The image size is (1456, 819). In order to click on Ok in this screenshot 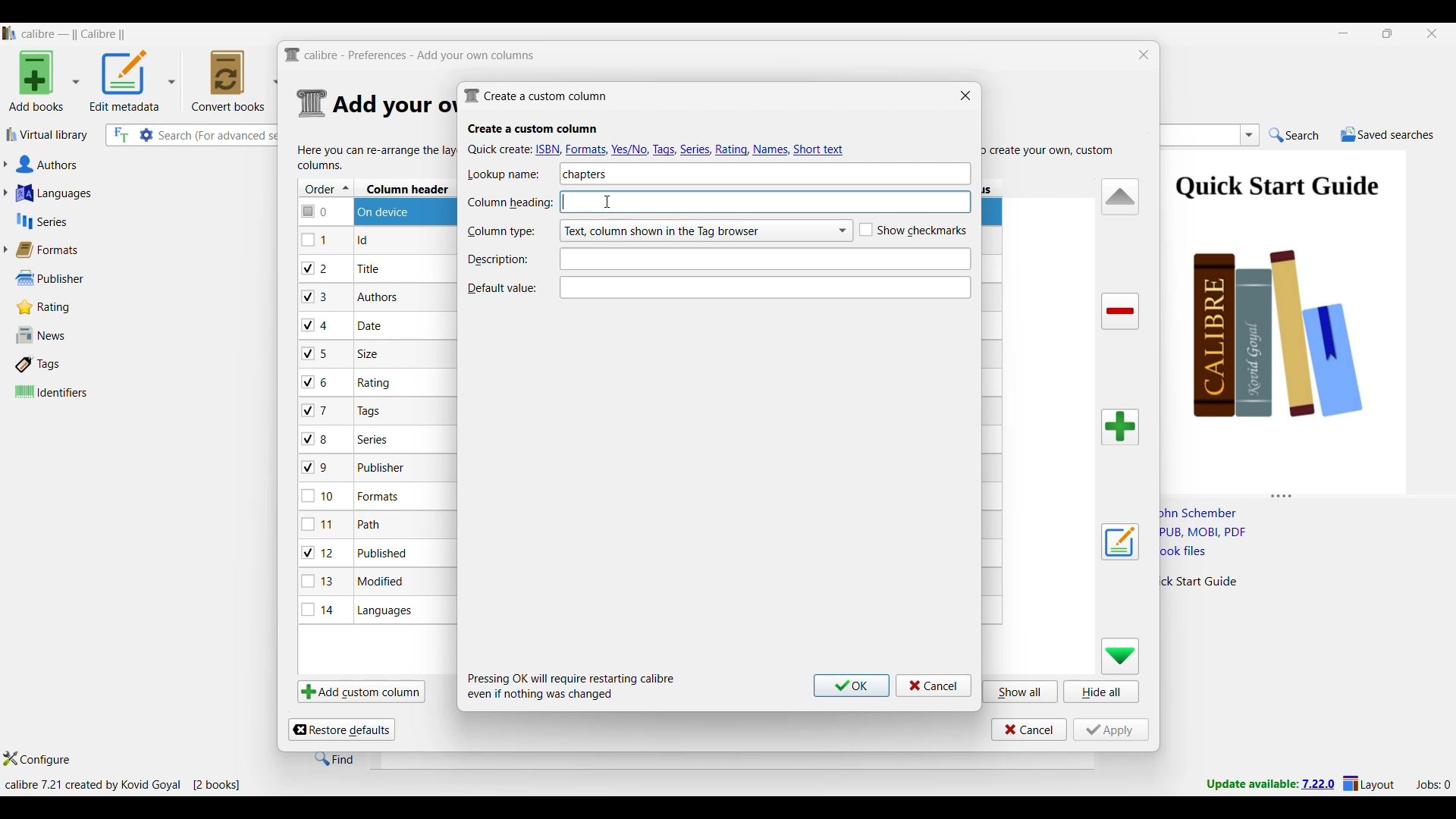, I will do `click(852, 686)`.